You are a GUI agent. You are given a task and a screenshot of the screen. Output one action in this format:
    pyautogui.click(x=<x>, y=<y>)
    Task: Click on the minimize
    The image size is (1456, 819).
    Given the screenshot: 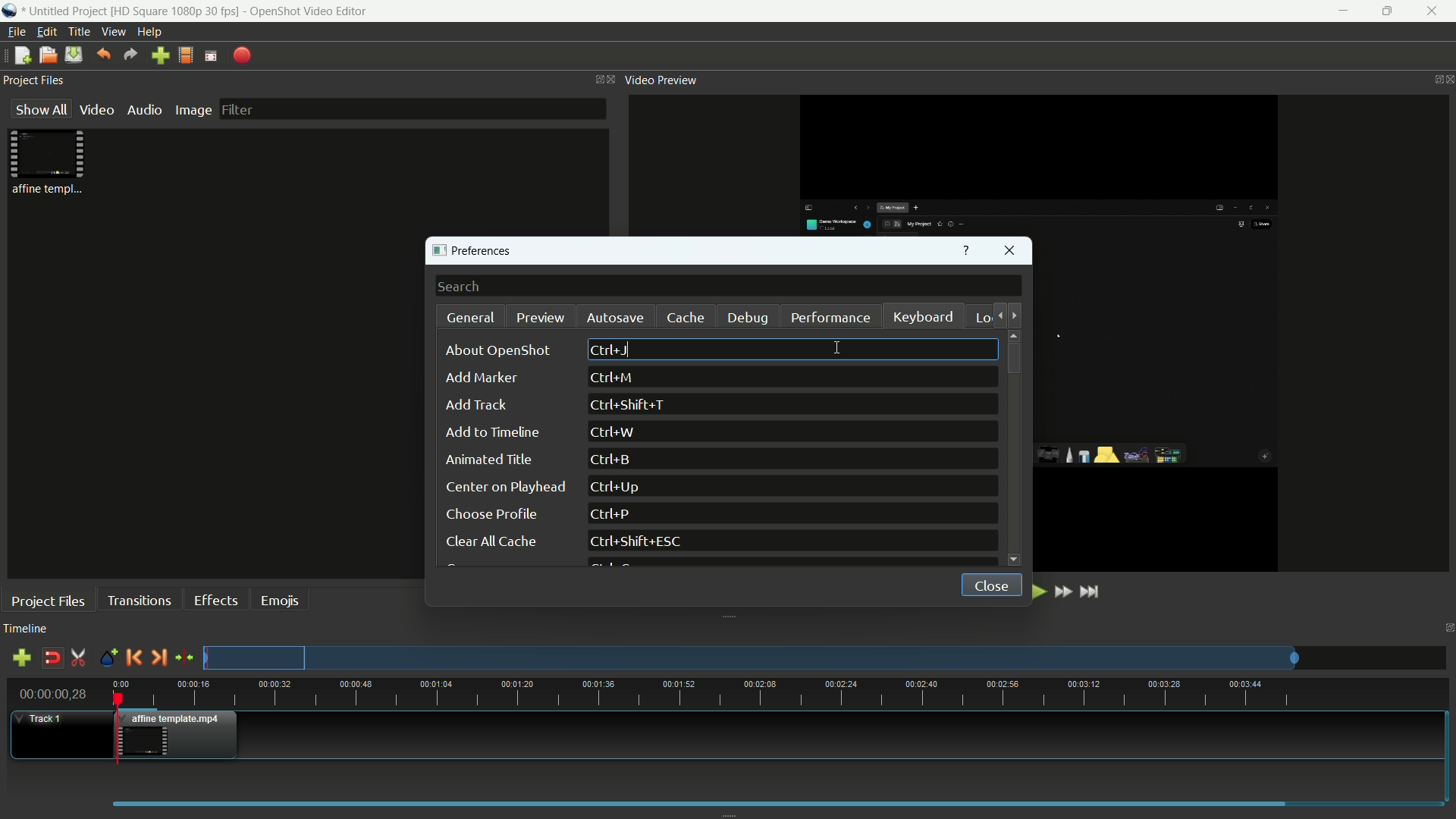 What is the action you would take?
    pyautogui.click(x=1339, y=11)
    